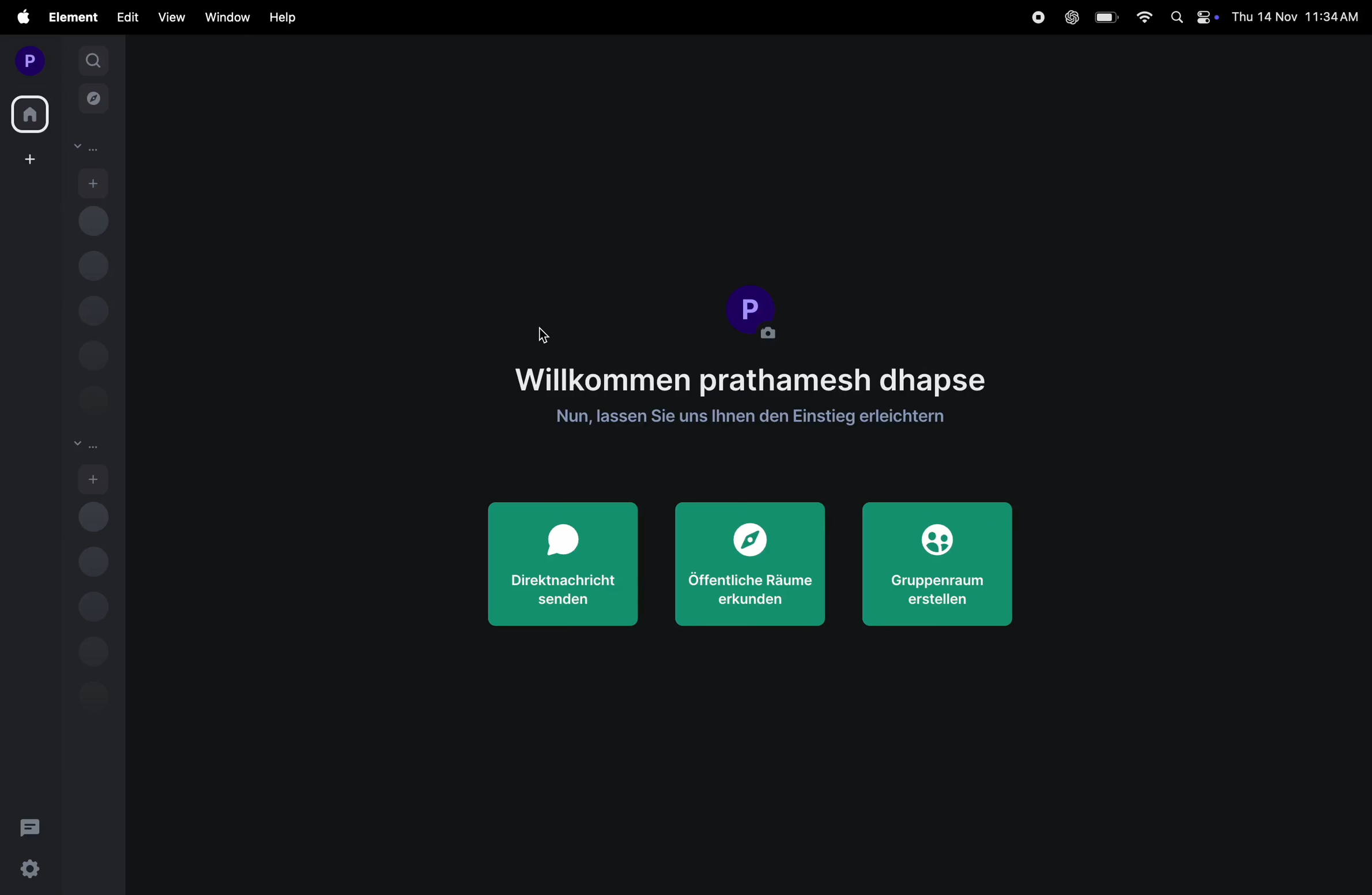 The image size is (1372, 895). I want to click on view, so click(170, 17).